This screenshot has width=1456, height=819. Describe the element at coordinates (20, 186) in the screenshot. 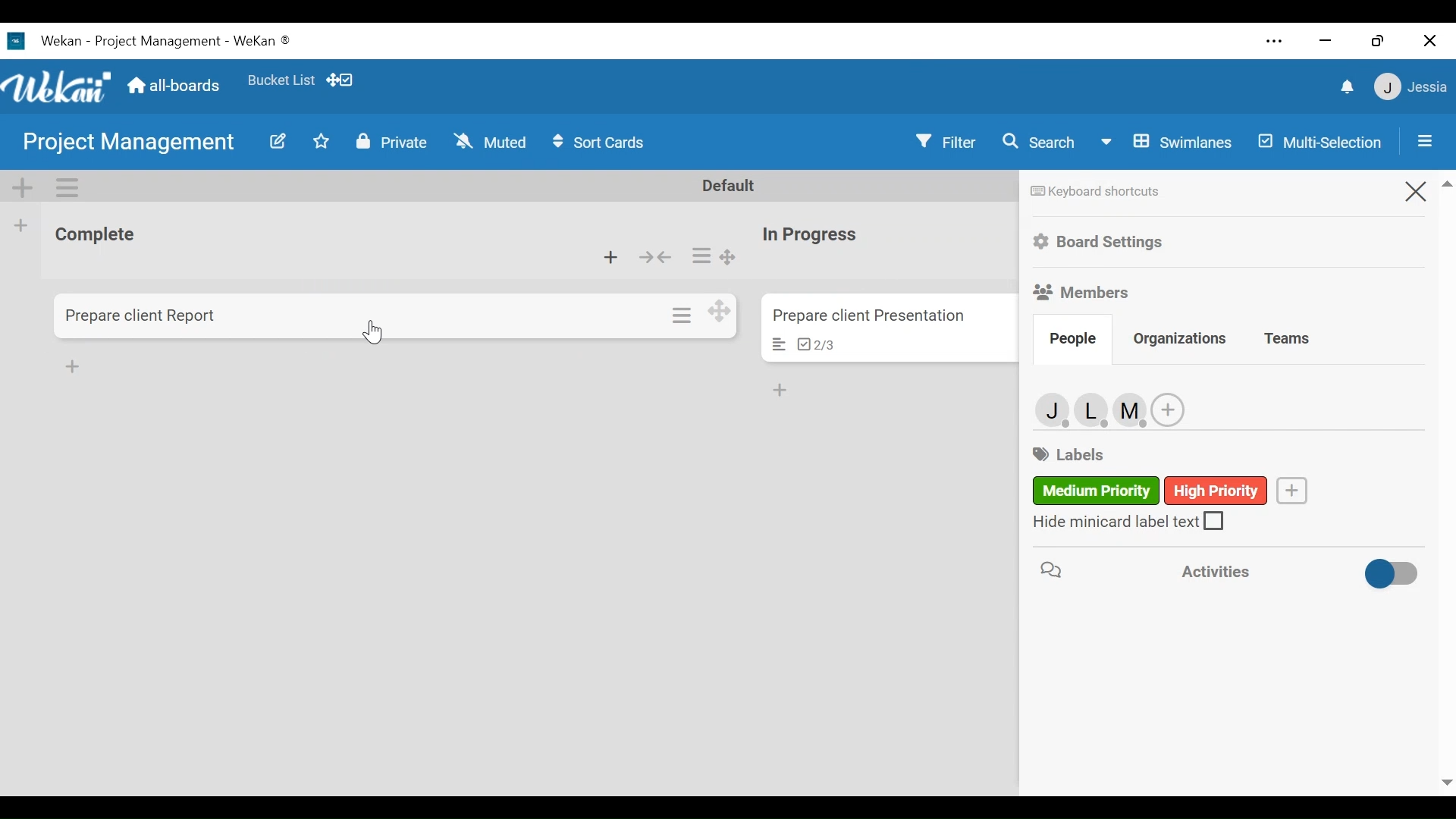

I see `Add Swimlane ` at that location.